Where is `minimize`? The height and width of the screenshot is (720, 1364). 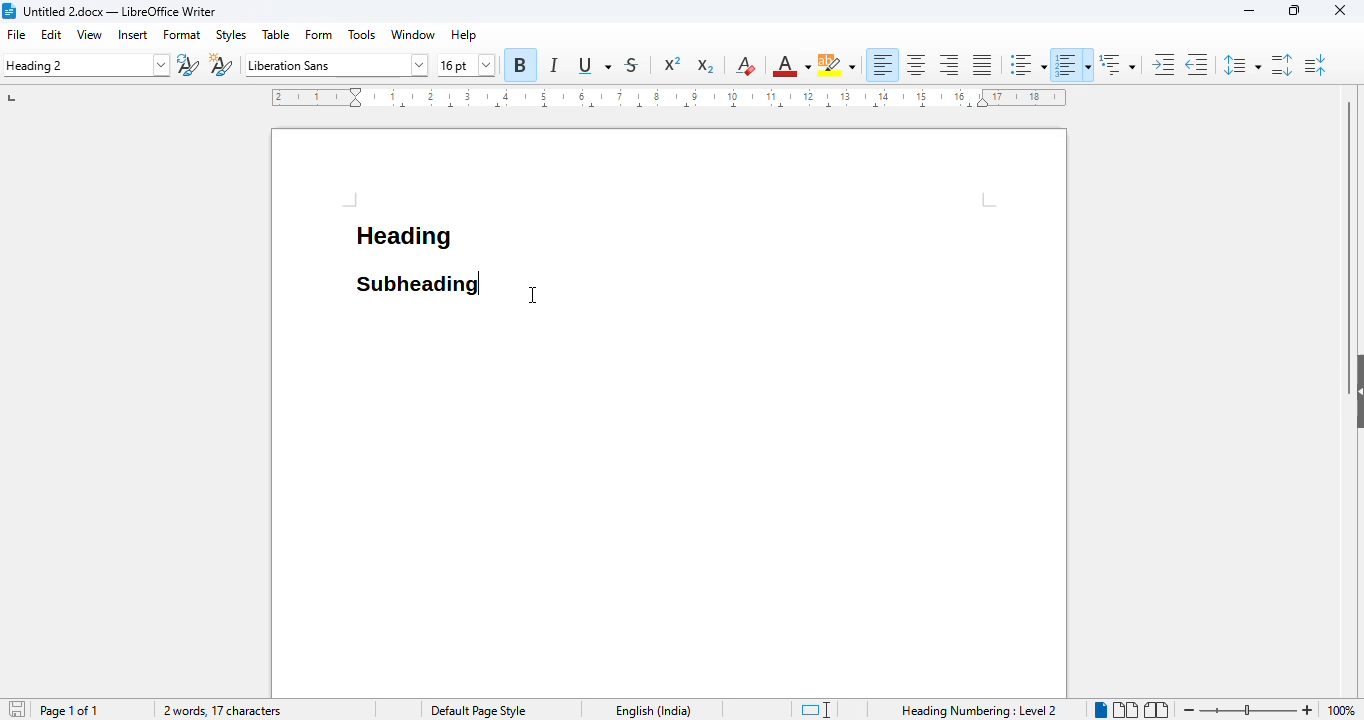
minimize is located at coordinates (1251, 11).